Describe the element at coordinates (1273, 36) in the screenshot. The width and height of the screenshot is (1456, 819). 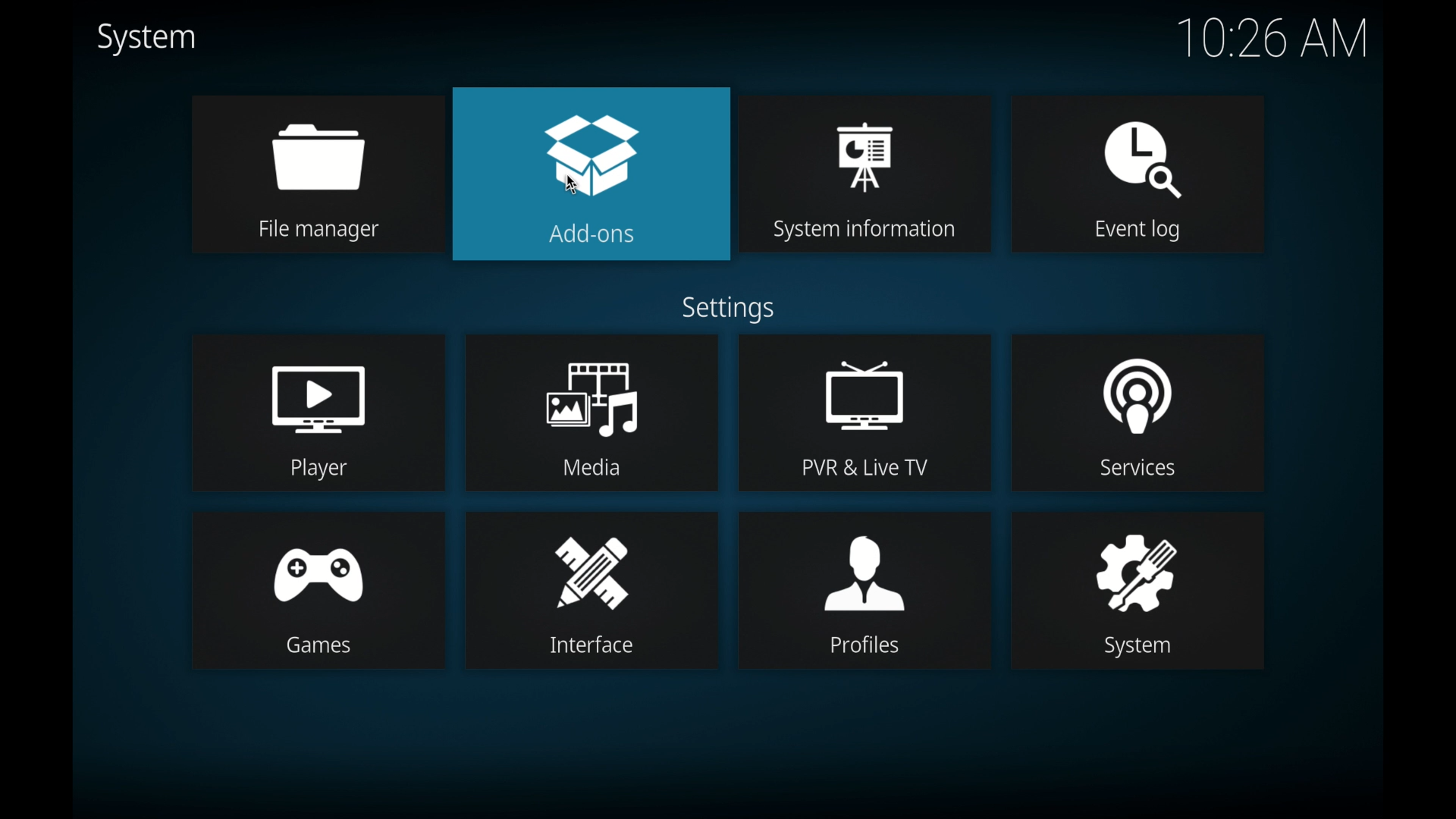
I see `10.26 am` at that location.